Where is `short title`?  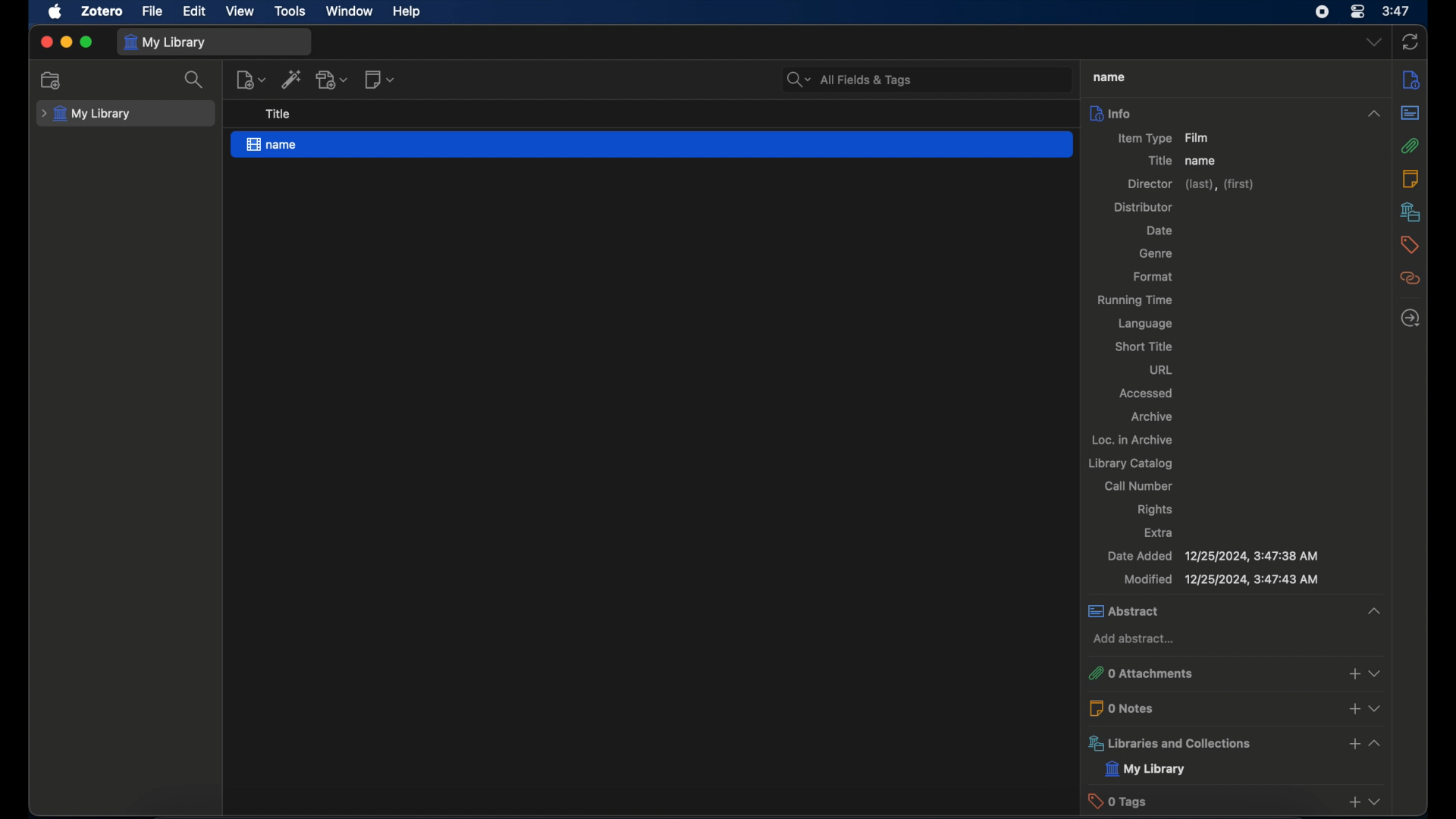 short title is located at coordinates (1144, 346).